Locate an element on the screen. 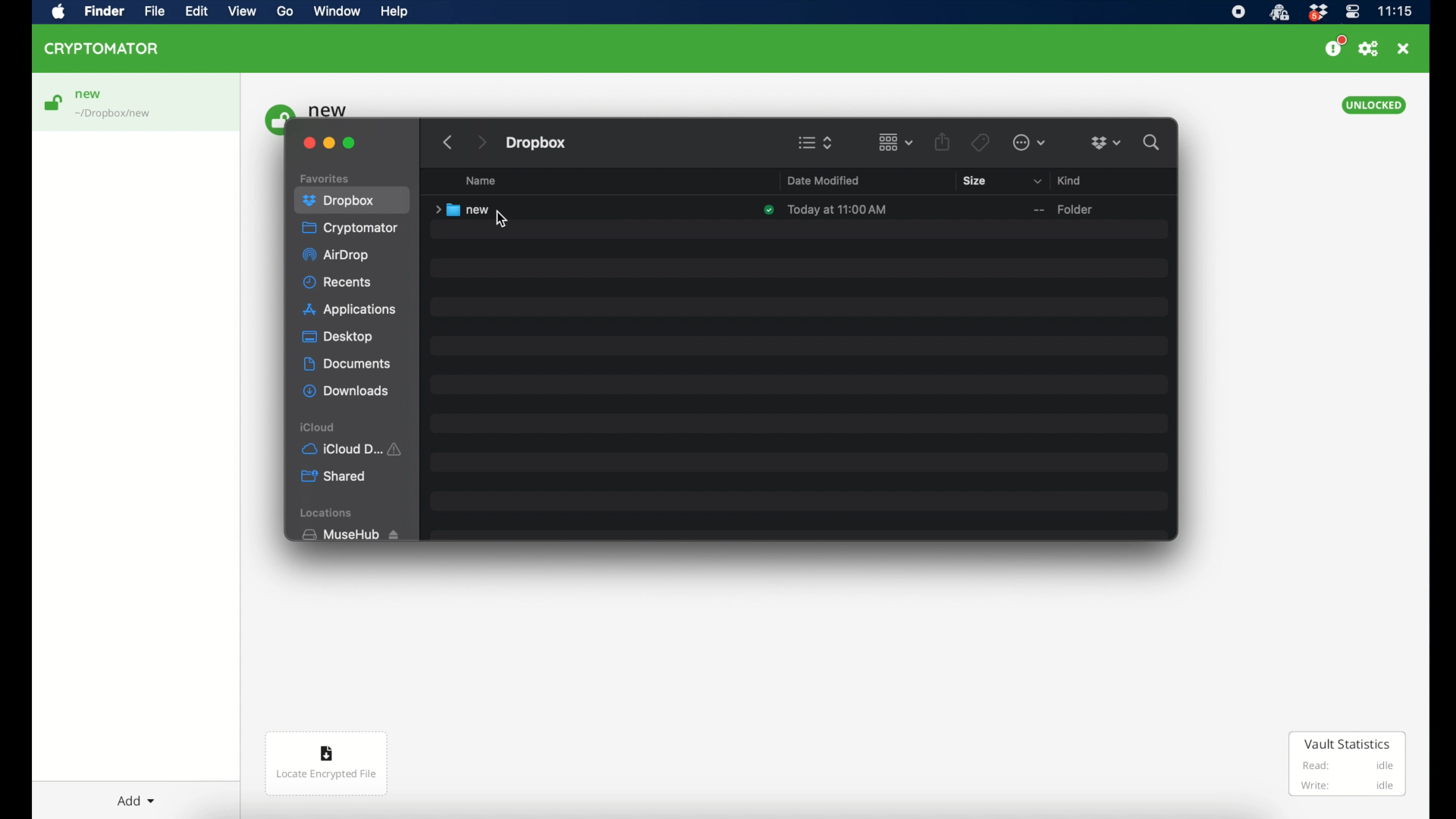  recents is located at coordinates (337, 282).